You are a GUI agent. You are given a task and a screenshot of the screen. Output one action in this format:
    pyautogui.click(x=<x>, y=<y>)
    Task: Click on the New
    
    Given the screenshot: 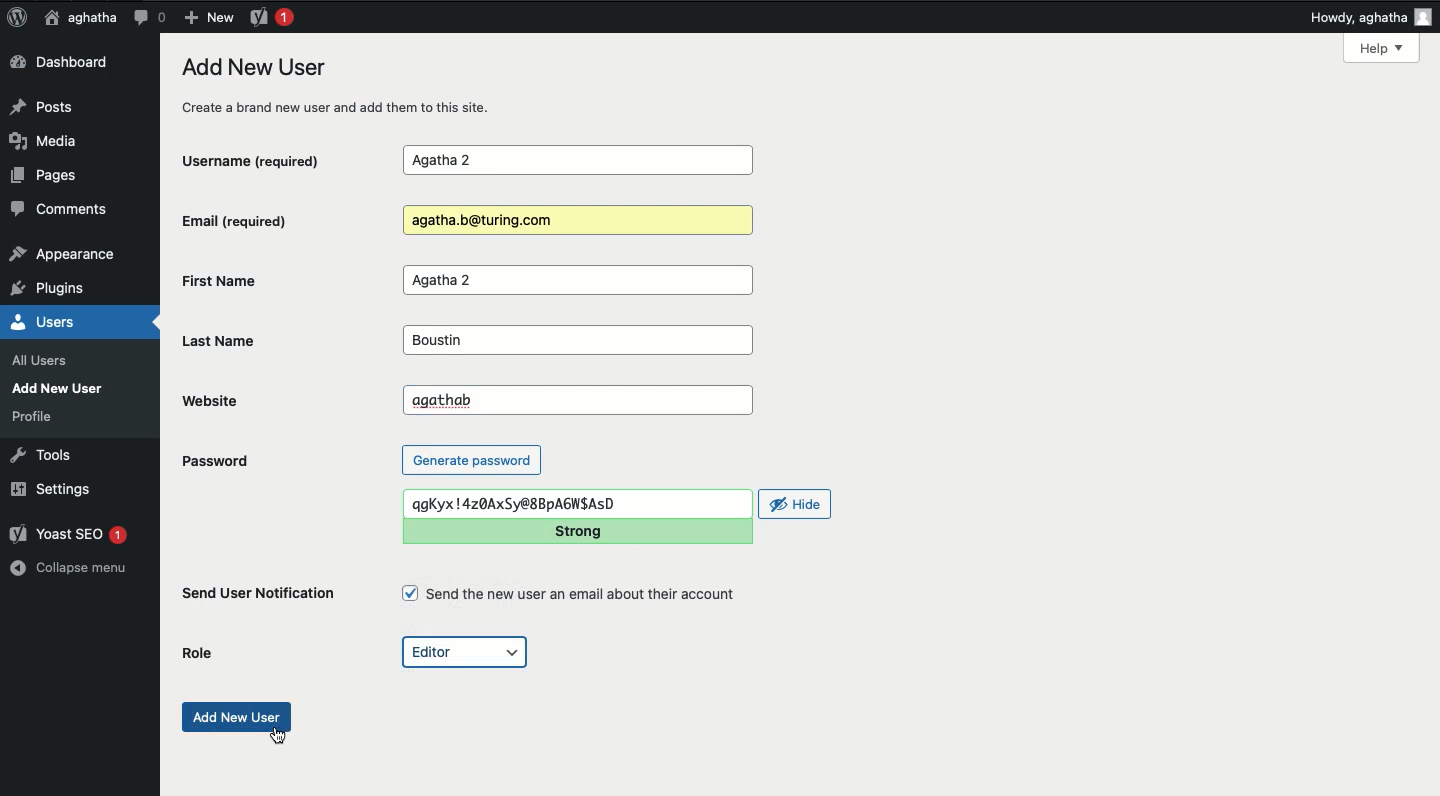 What is the action you would take?
    pyautogui.click(x=208, y=16)
    